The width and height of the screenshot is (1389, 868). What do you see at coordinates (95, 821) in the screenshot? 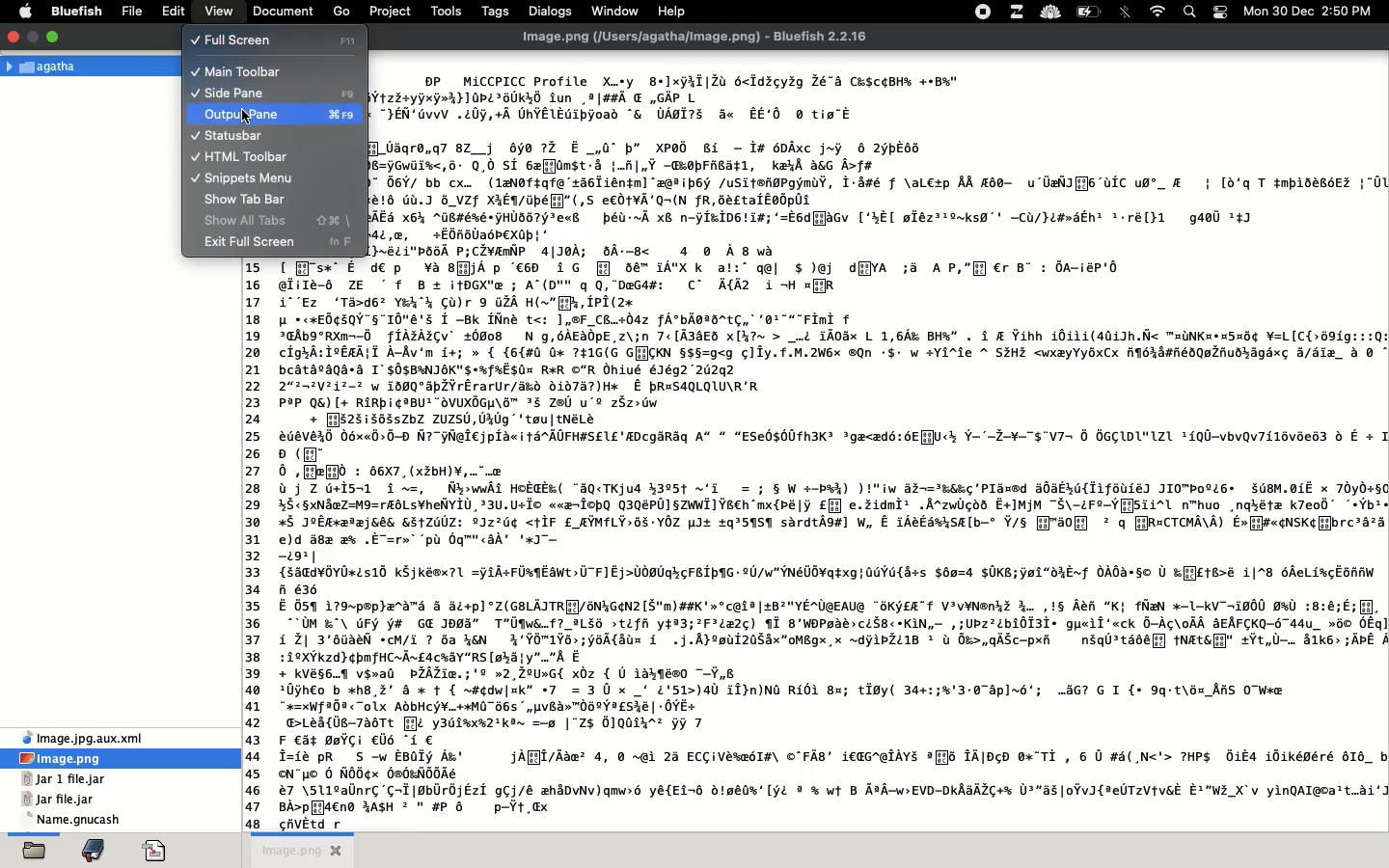
I see `name gnucash` at bounding box center [95, 821].